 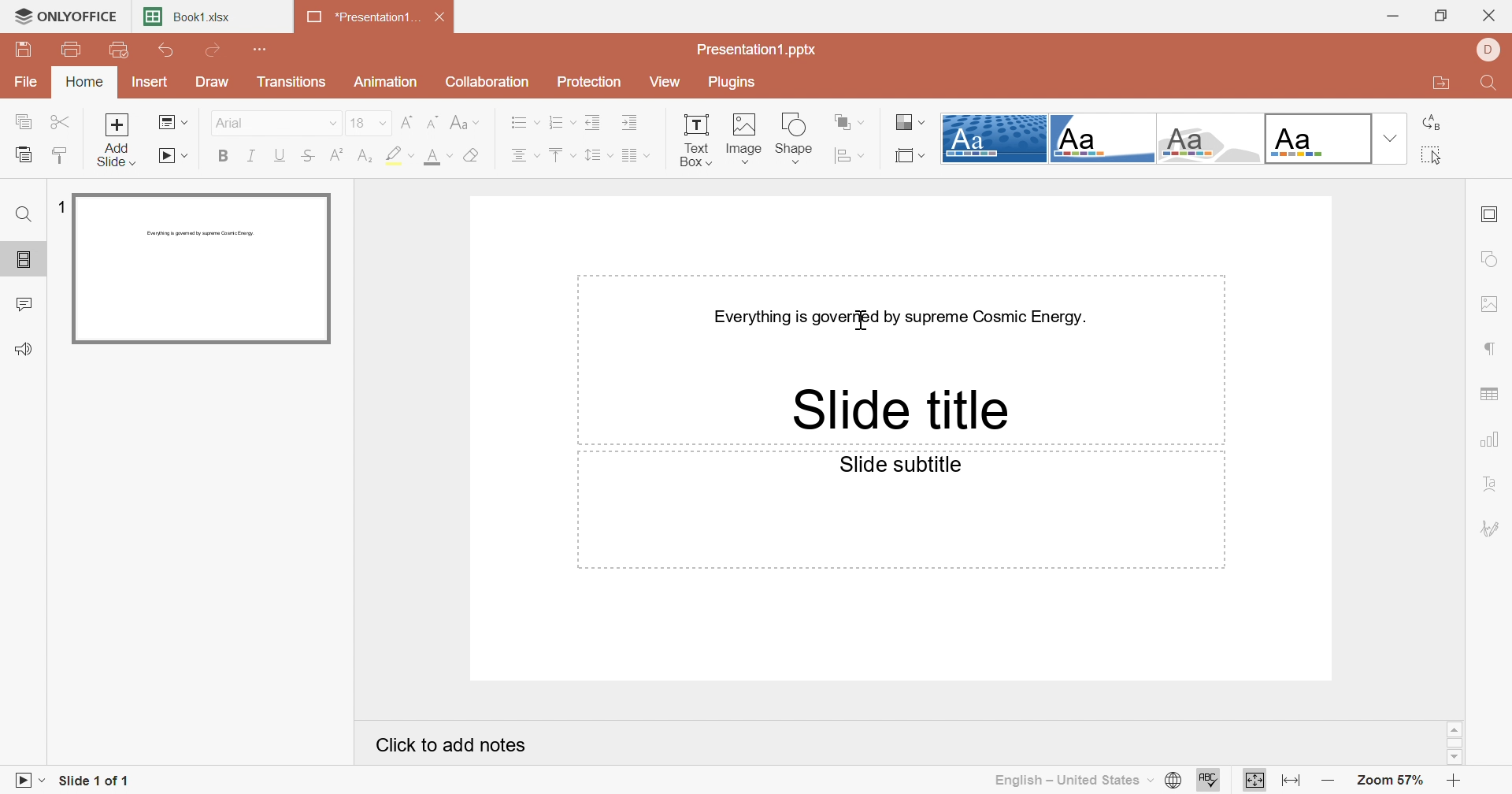 What do you see at coordinates (443, 17) in the screenshot?
I see `Close` at bounding box center [443, 17].